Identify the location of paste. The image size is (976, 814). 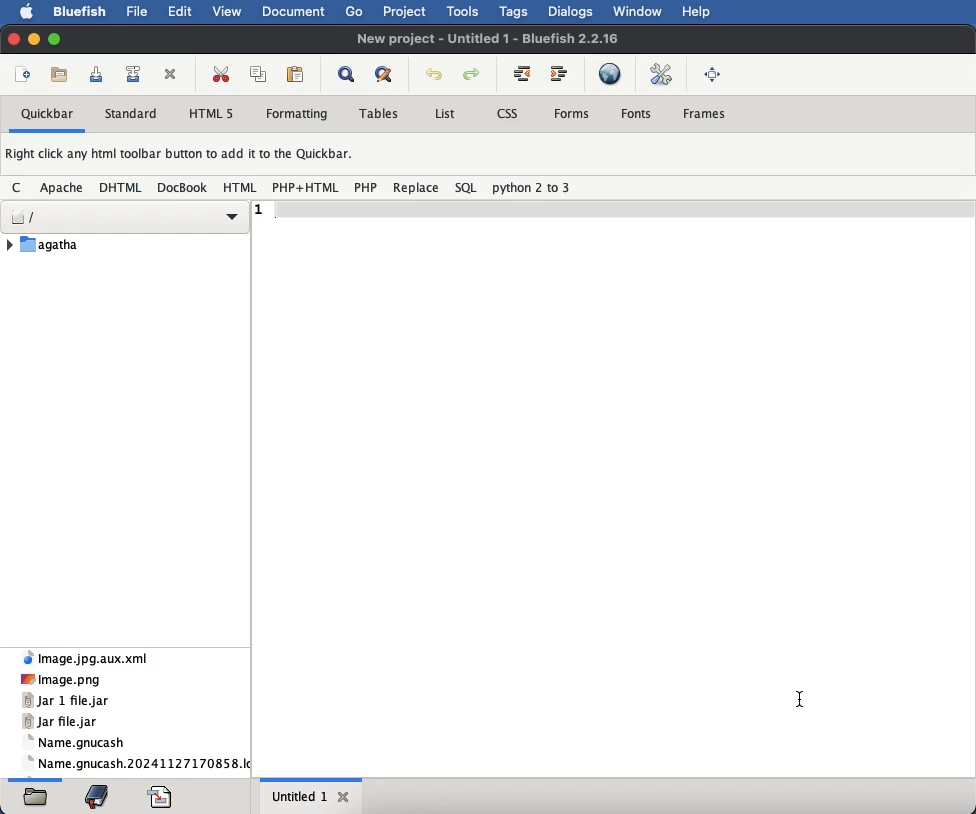
(297, 74).